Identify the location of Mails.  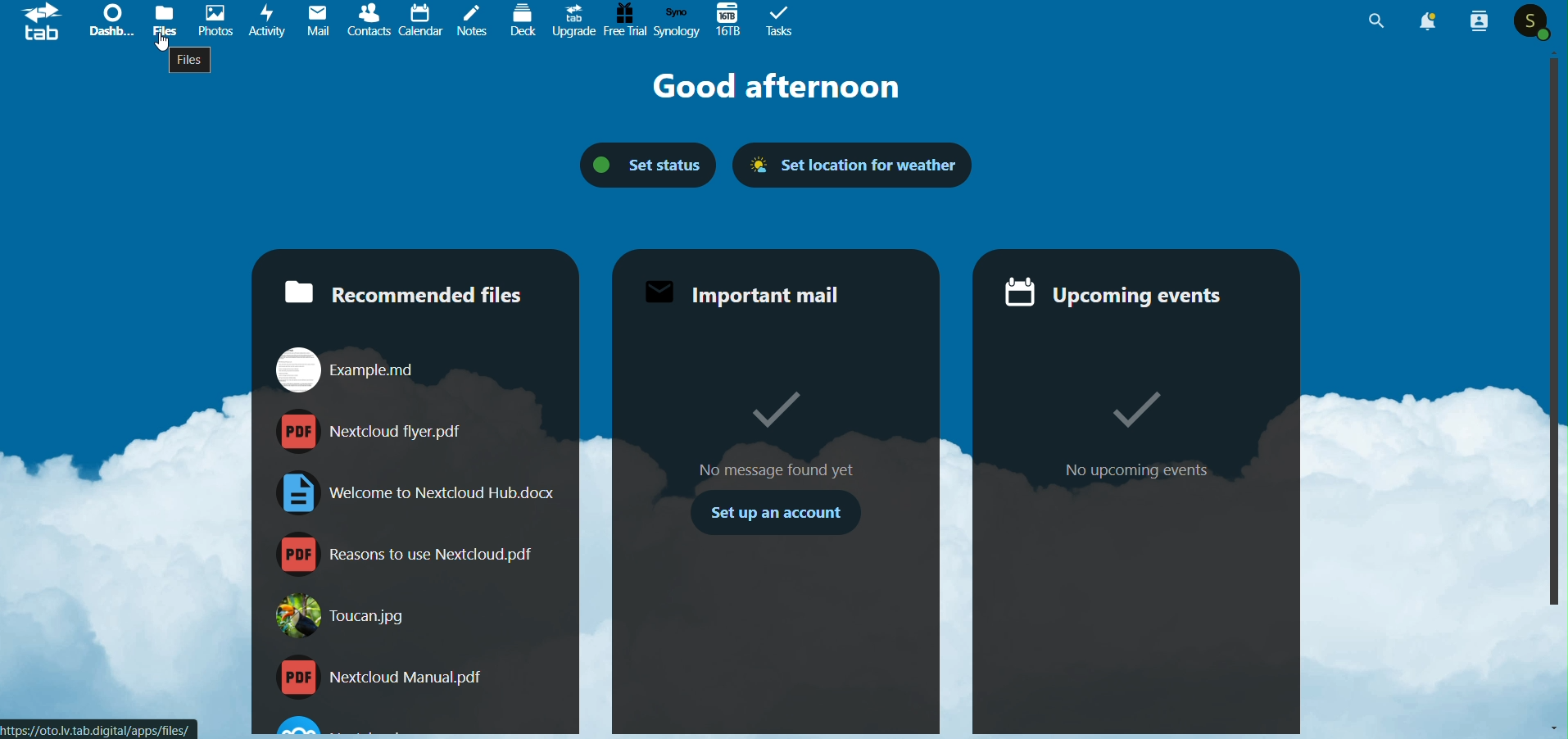
(316, 19).